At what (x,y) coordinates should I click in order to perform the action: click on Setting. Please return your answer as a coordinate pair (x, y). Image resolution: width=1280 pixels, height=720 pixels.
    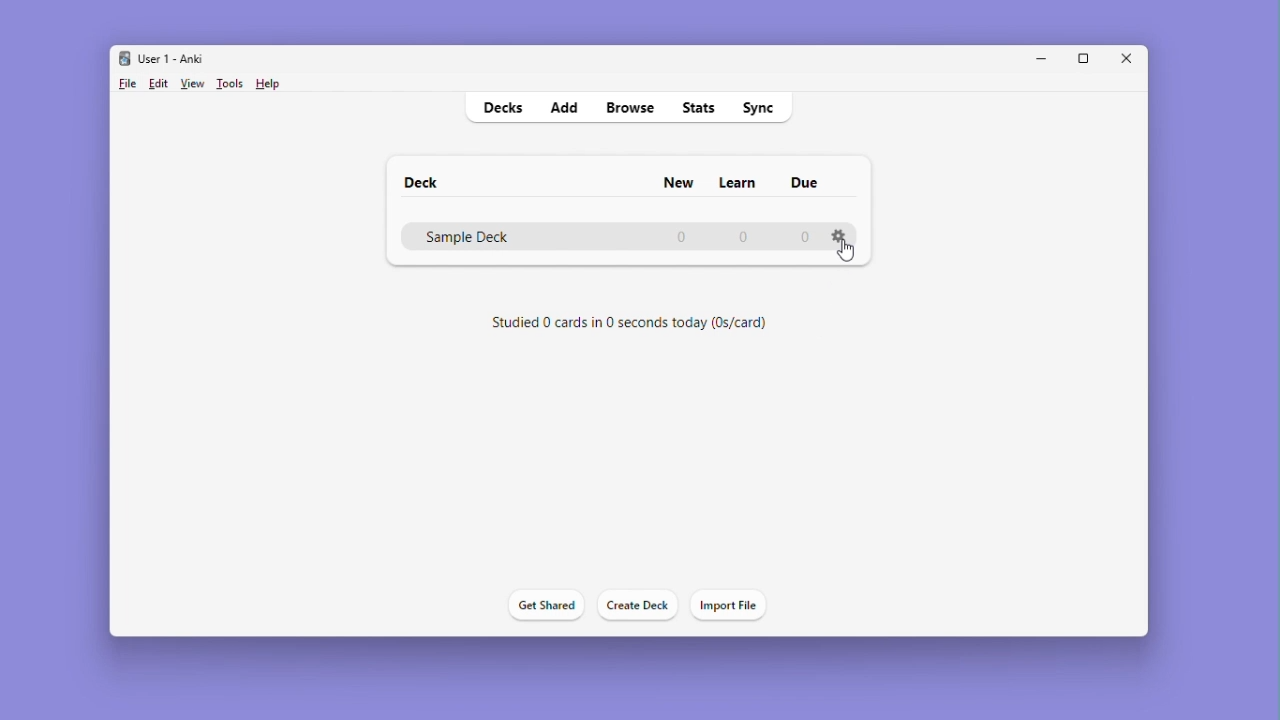
    Looking at the image, I should click on (841, 235).